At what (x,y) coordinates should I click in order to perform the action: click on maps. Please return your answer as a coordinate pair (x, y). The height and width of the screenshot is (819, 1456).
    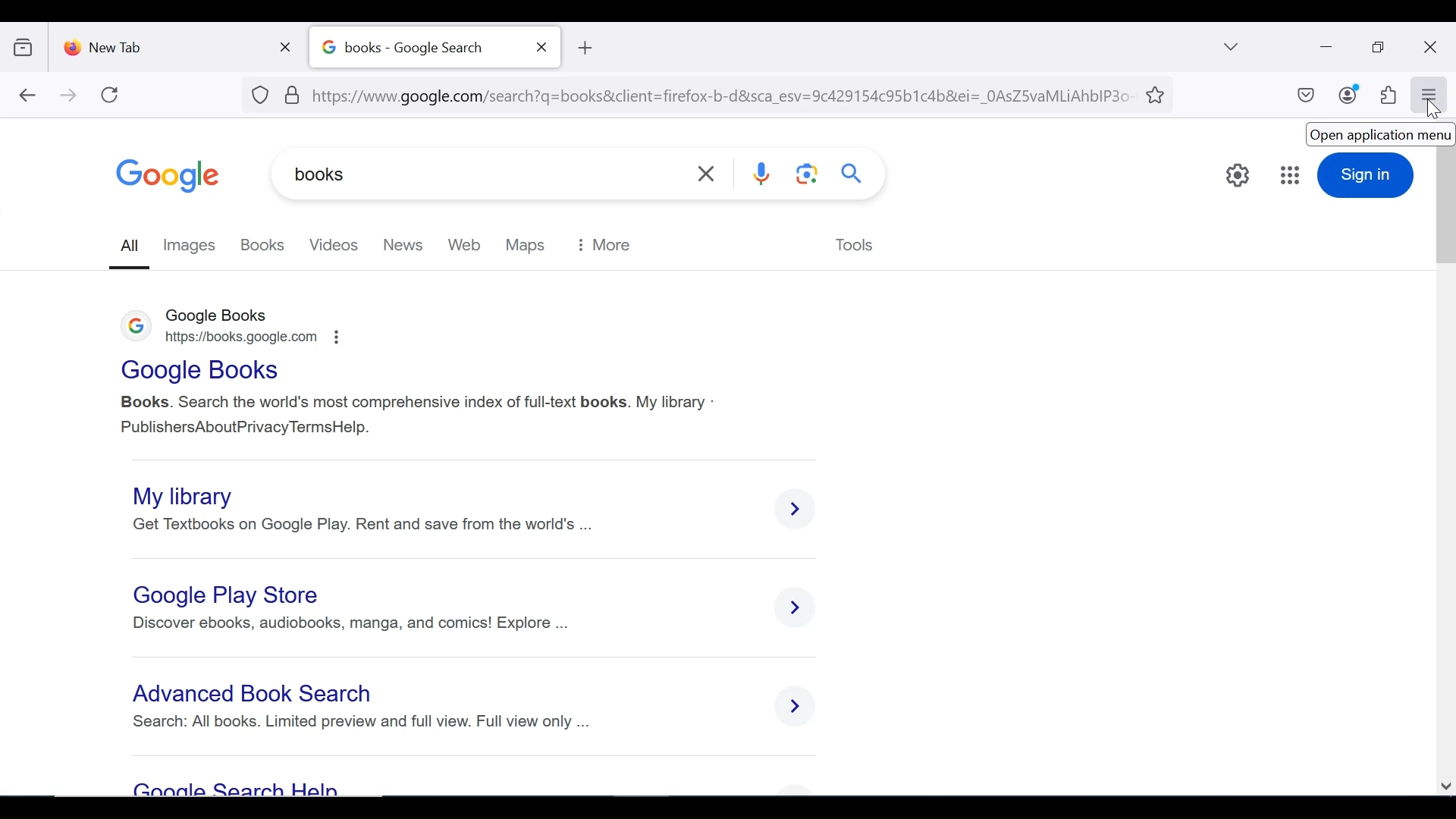
    Looking at the image, I should click on (527, 244).